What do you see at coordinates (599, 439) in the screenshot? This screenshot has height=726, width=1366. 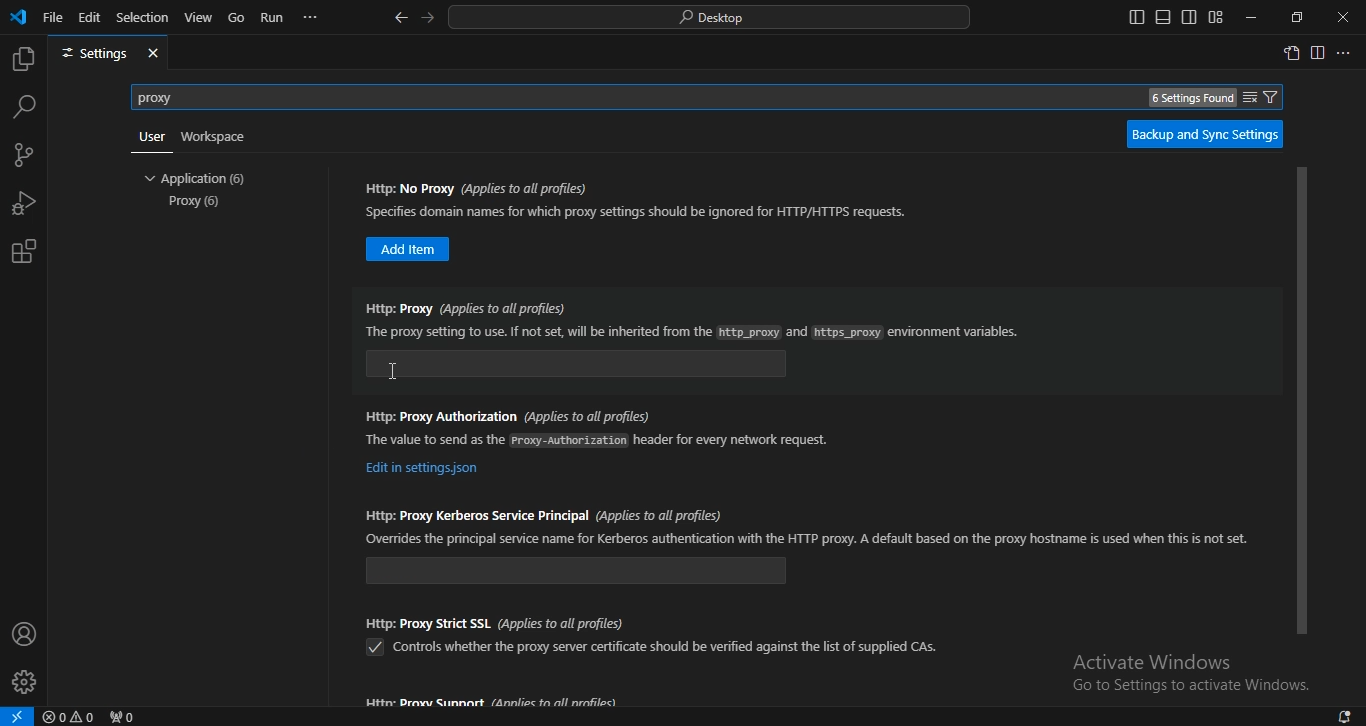 I see `https: proxy authorization` at bounding box center [599, 439].